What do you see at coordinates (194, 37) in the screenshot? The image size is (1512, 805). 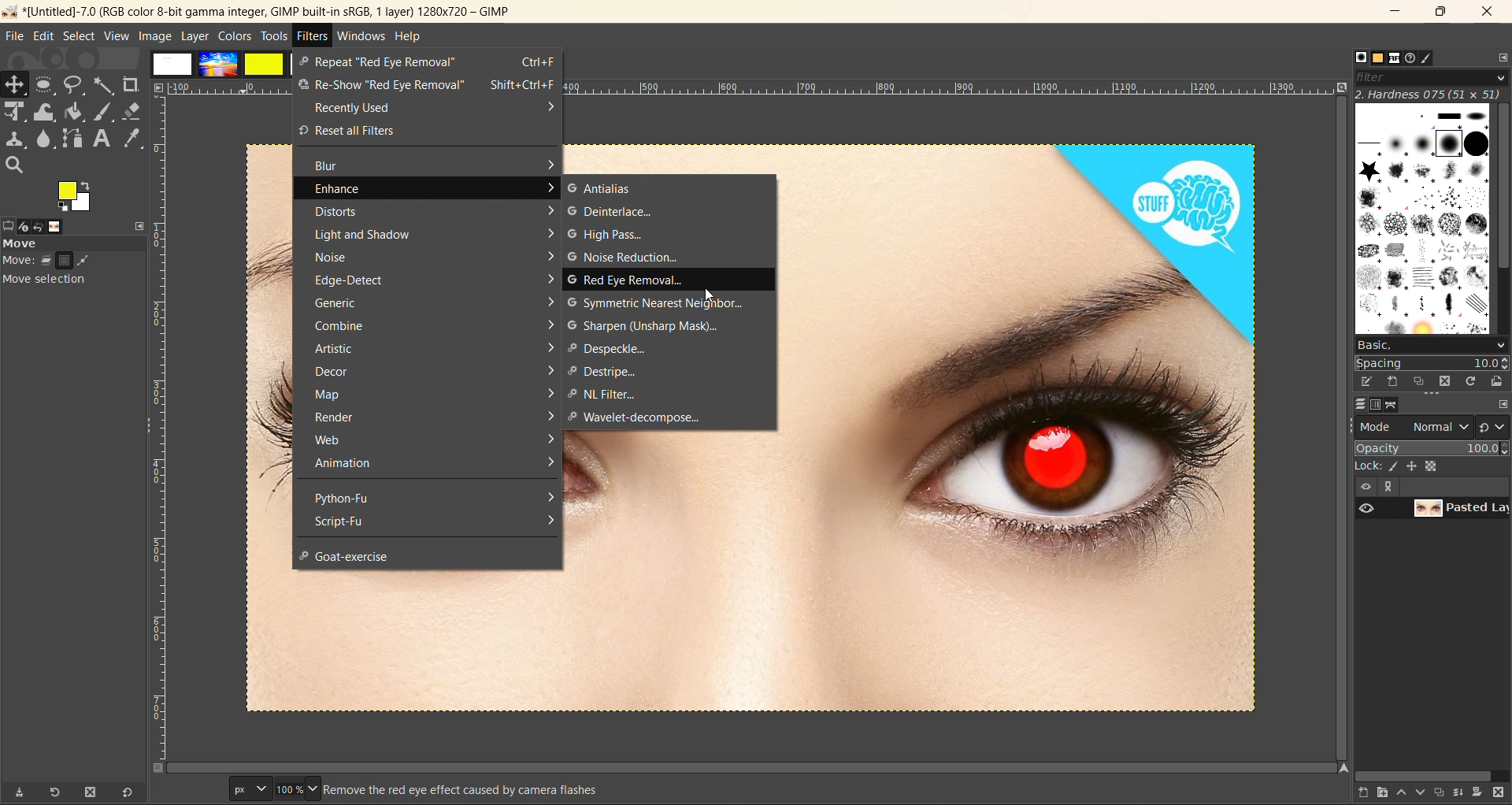 I see `layer` at bounding box center [194, 37].